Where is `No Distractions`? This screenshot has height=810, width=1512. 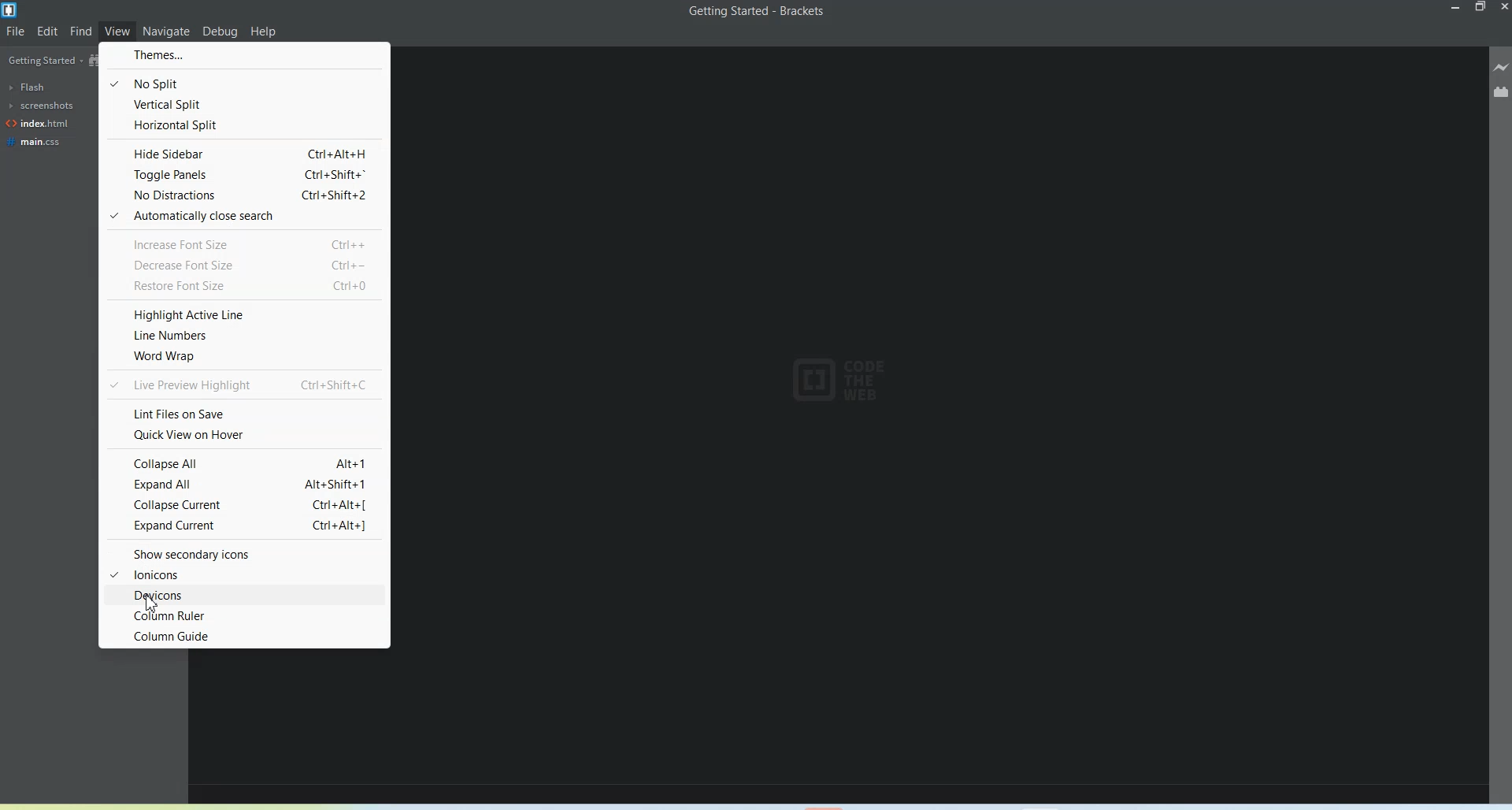 No Distractions is located at coordinates (243, 195).